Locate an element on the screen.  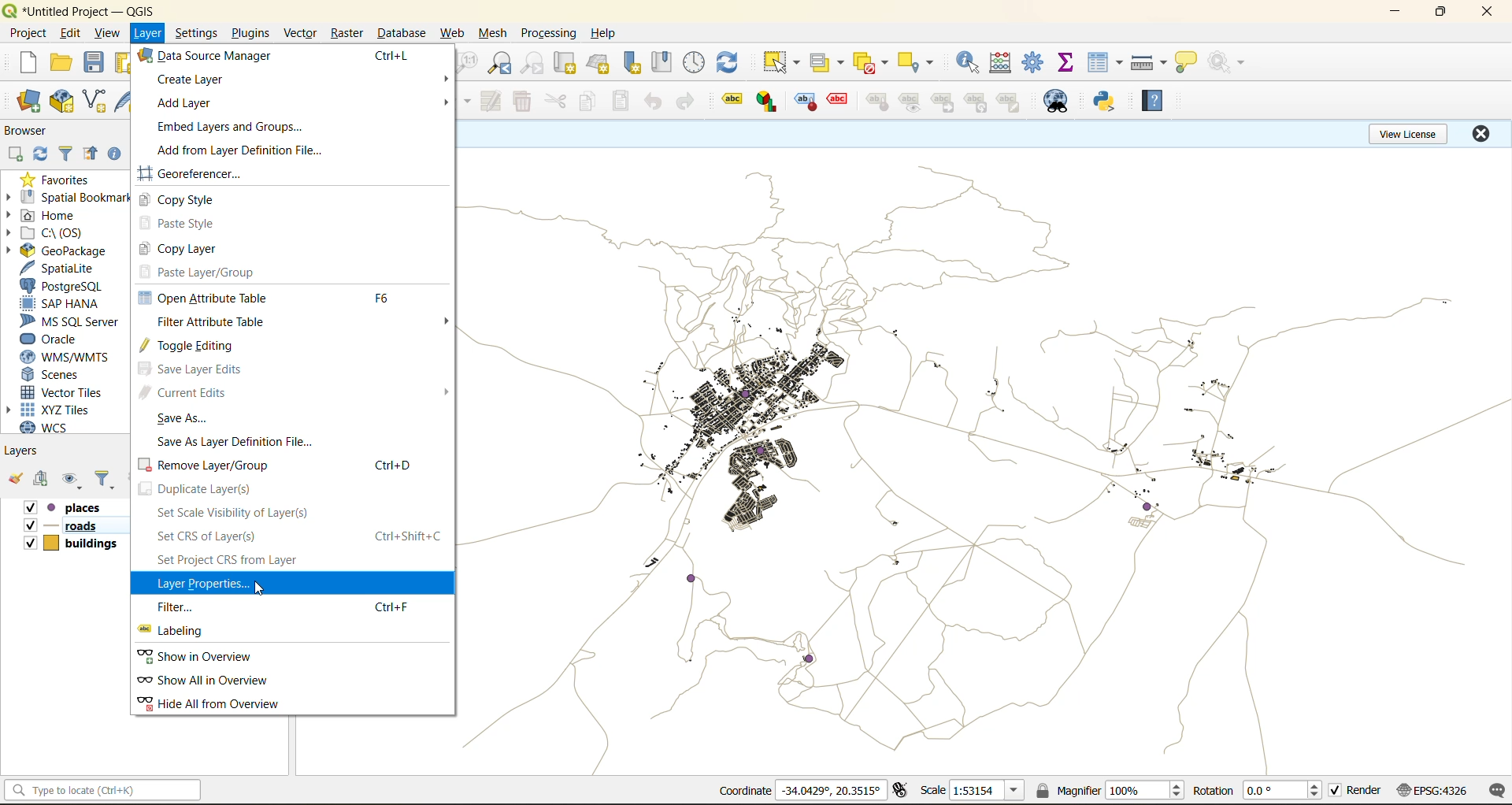
layers is located at coordinates (981, 461).